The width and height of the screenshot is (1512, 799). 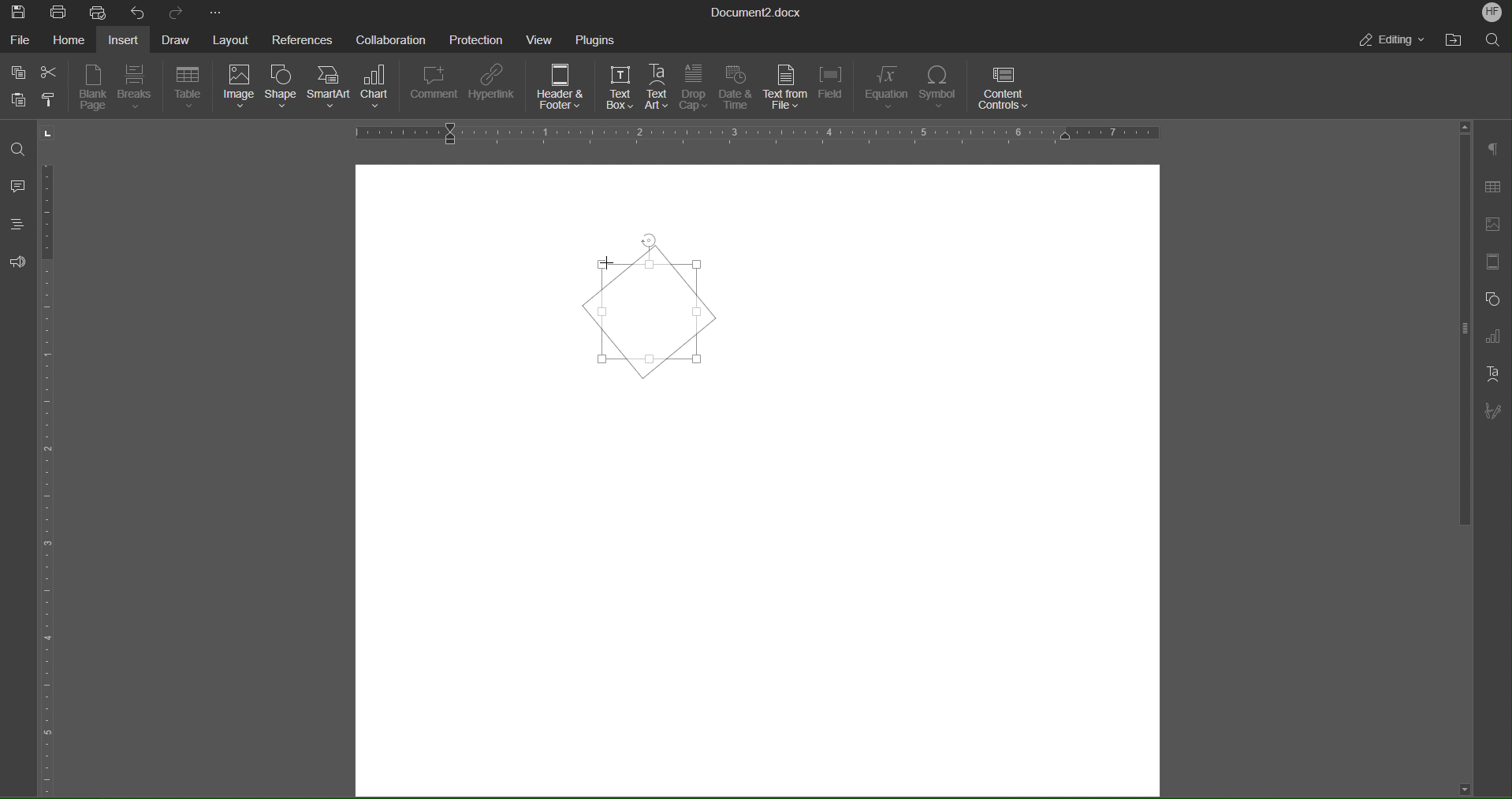 What do you see at coordinates (736, 88) in the screenshot?
I see `Date & Time` at bounding box center [736, 88].